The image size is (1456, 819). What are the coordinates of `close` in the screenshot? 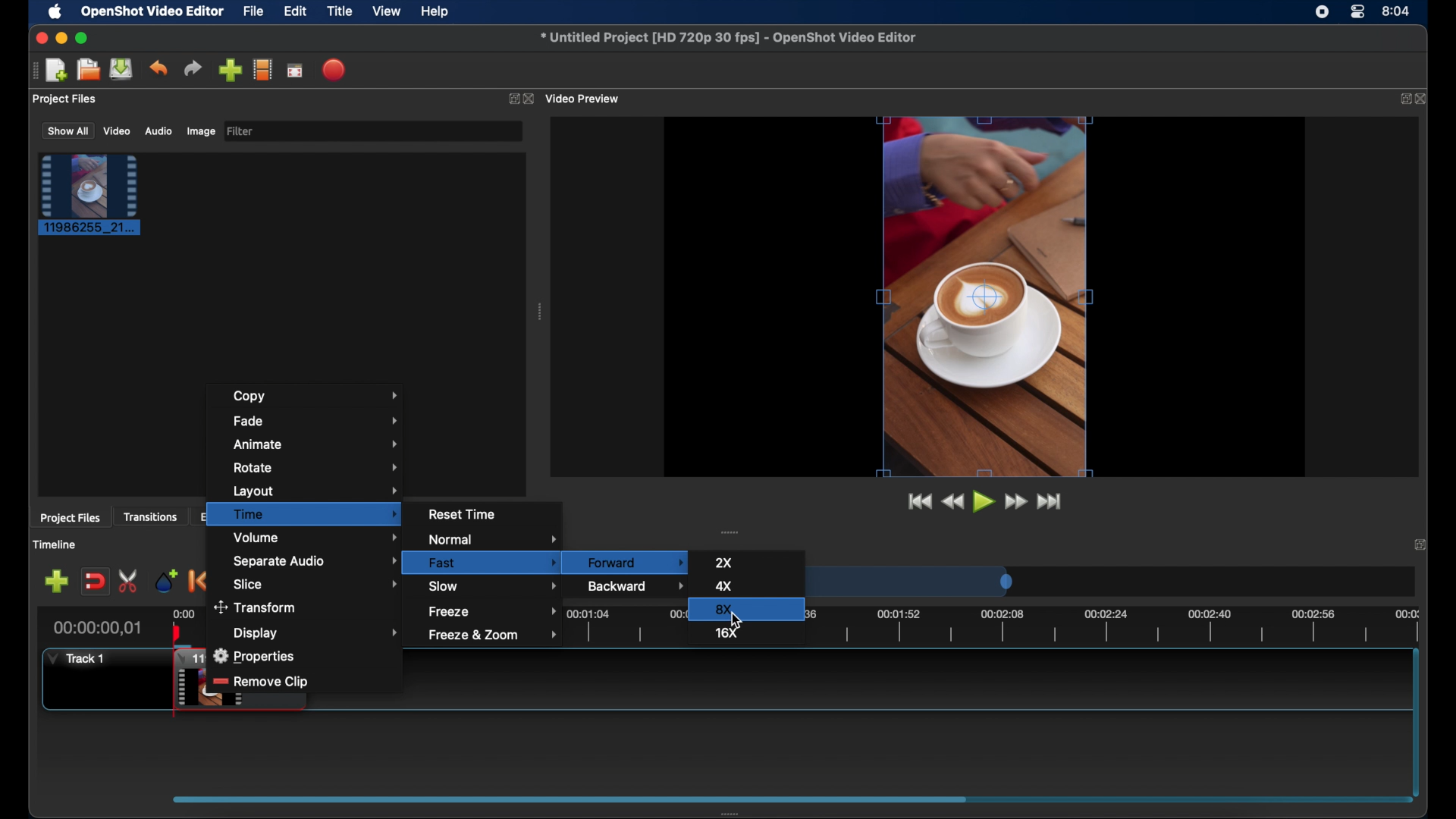 It's located at (1424, 99).